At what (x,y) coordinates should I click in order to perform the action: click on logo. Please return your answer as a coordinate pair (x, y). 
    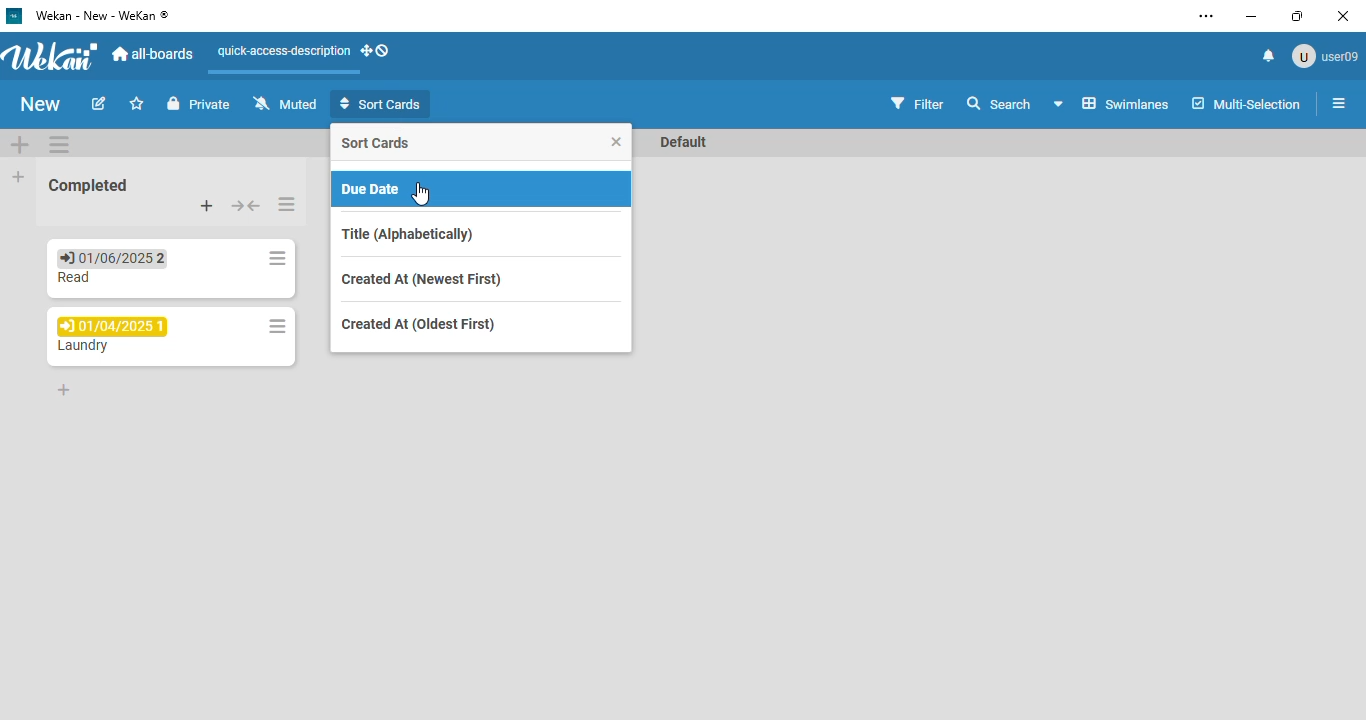
    Looking at the image, I should click on (15, 15).